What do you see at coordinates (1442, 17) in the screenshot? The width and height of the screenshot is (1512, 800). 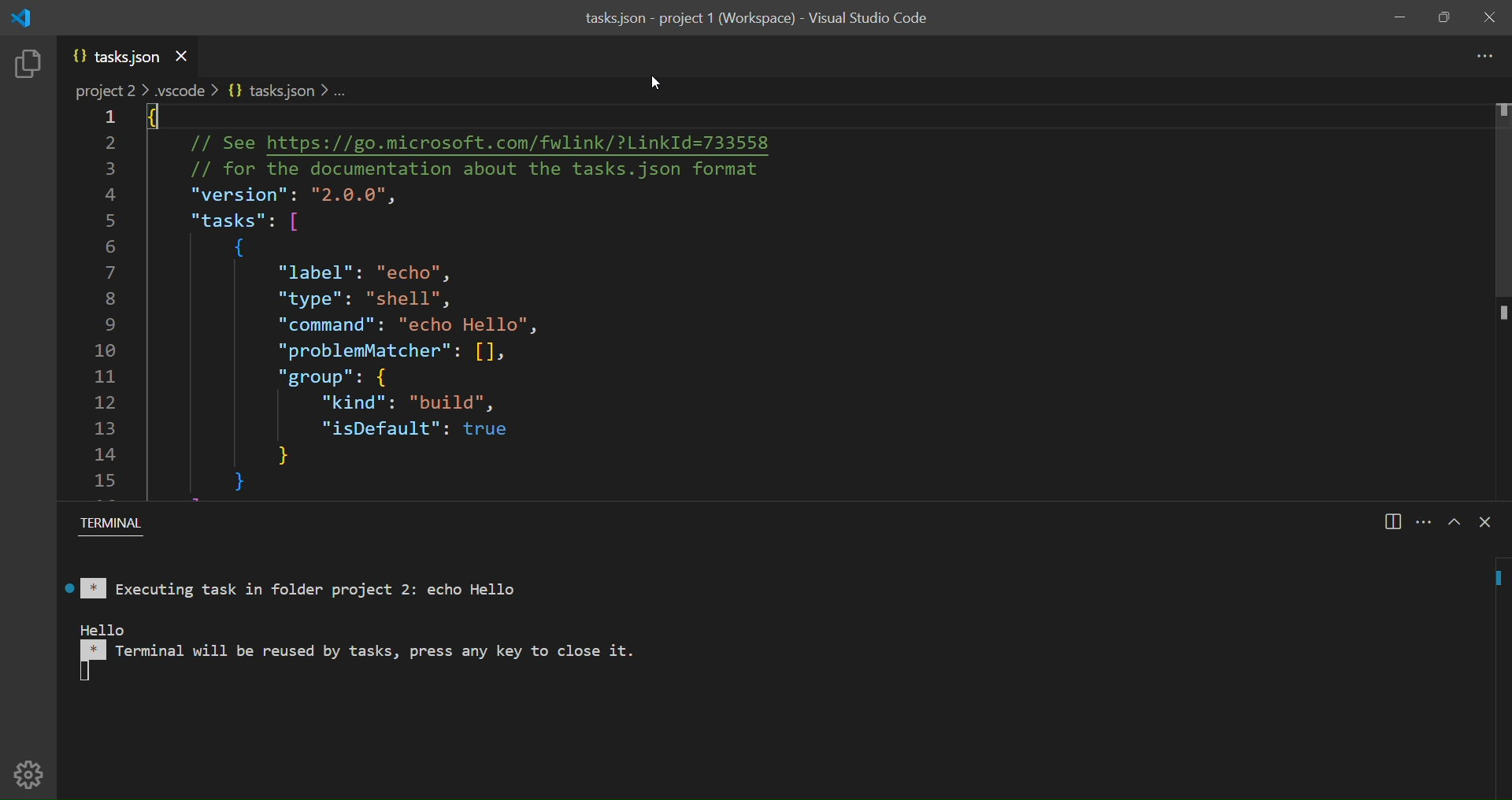 I see `maximize` at bounding box center [1442, 17].